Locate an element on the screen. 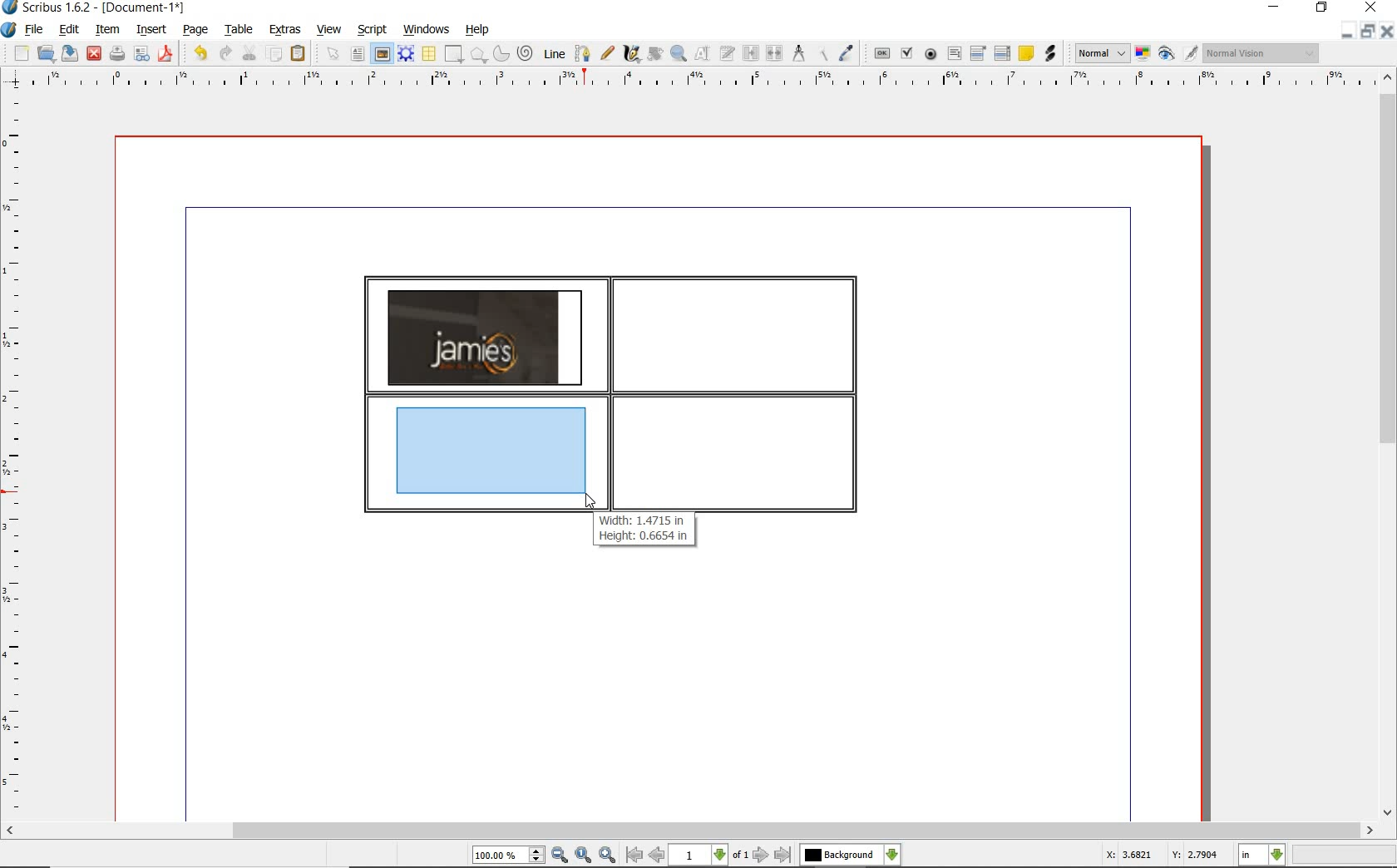 The height and width of the screenshot is (868, 1397). close is located at coordinates (93, 52).